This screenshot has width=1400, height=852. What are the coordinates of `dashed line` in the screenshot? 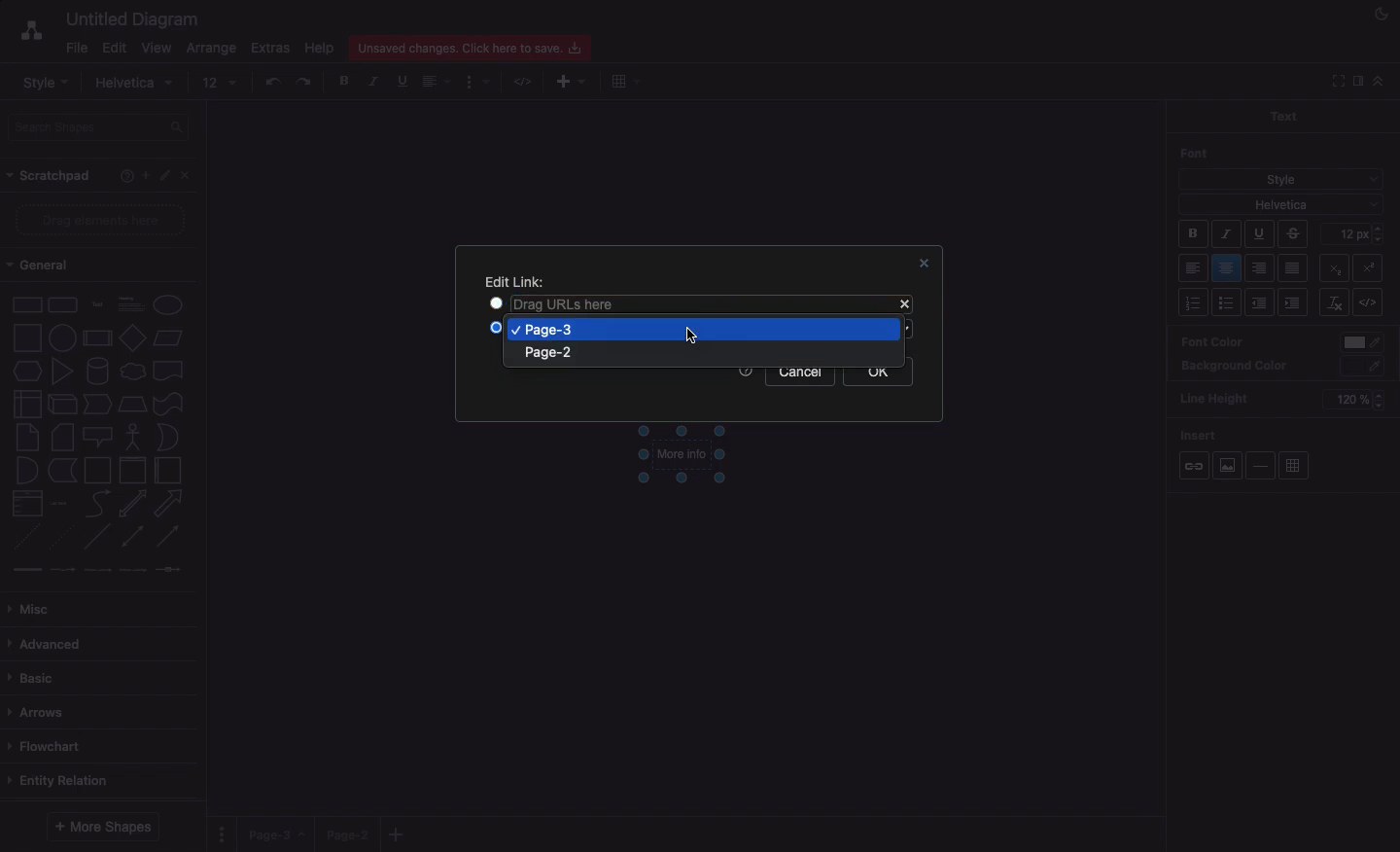 It's located at (25, 537).